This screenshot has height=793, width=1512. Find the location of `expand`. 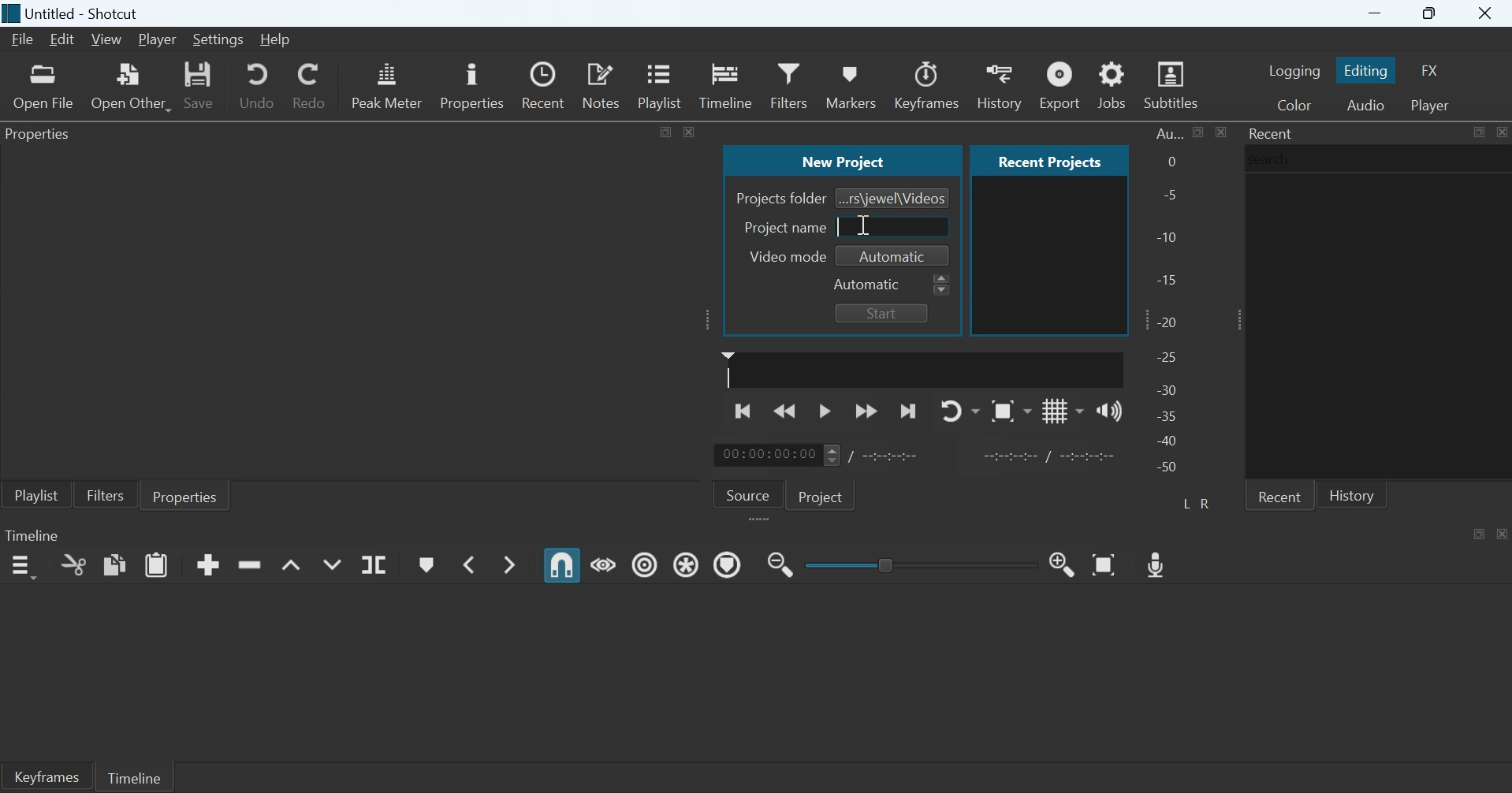

expand is located at coordinates (762, 520).